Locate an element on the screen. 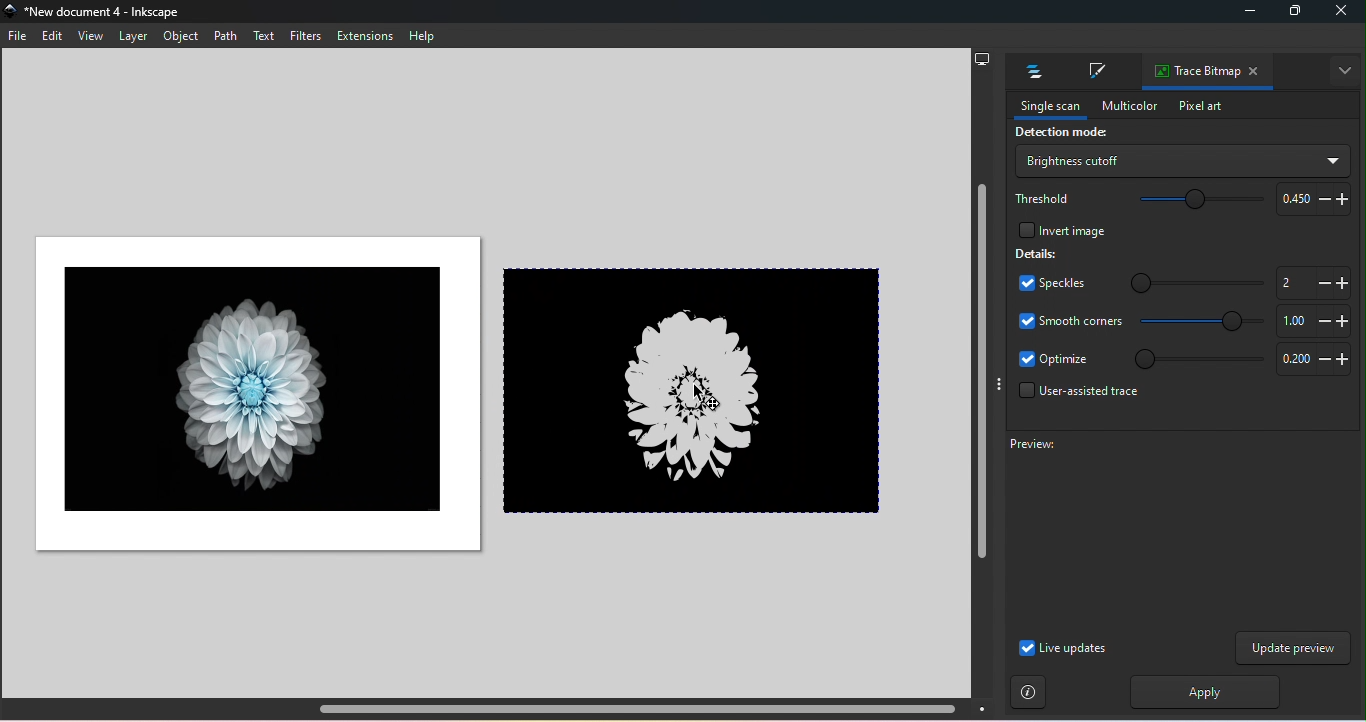 The image size is (1366, 722). Optimize is located at coordinates (1054, 360).